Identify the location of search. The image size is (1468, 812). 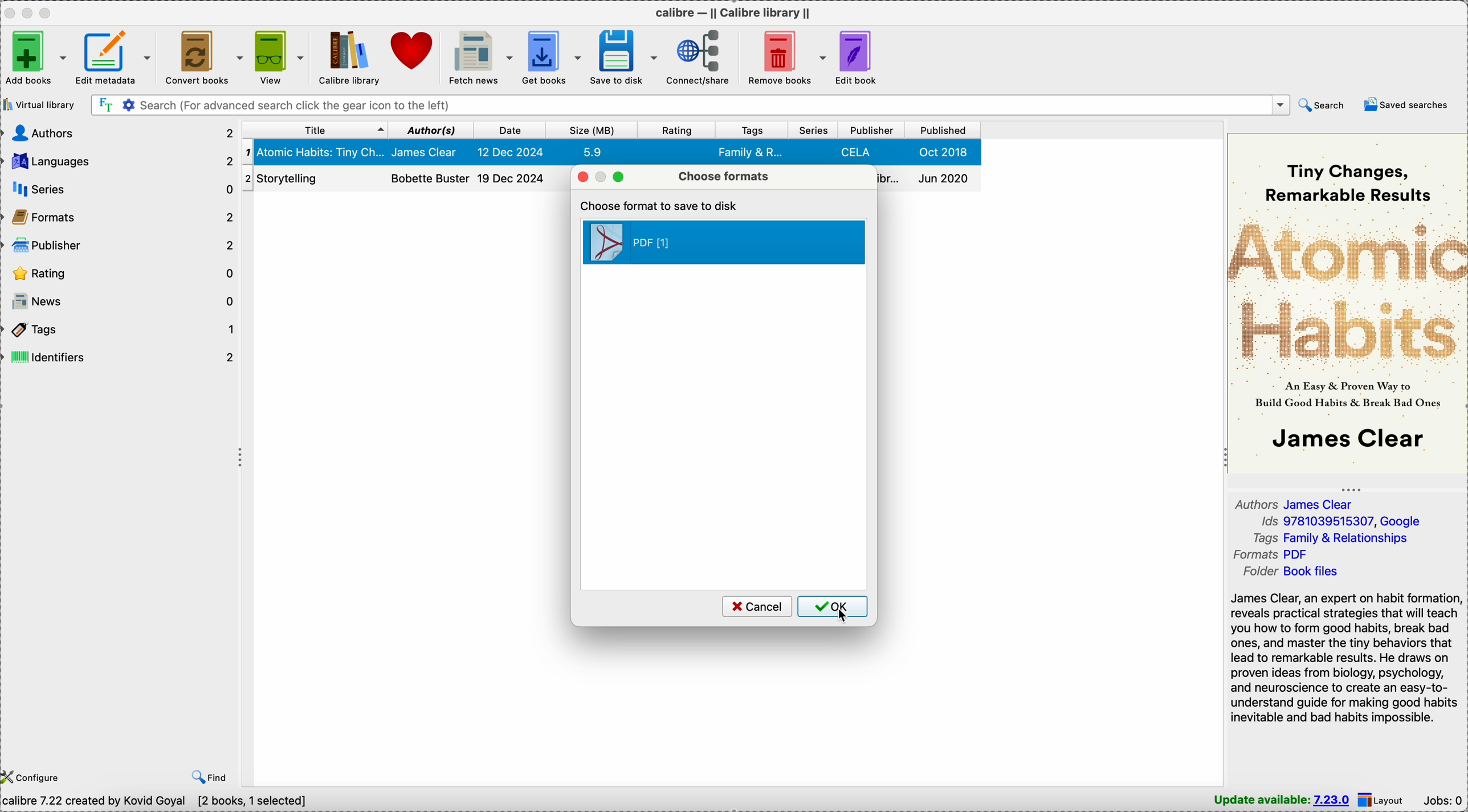
(1320, 105).